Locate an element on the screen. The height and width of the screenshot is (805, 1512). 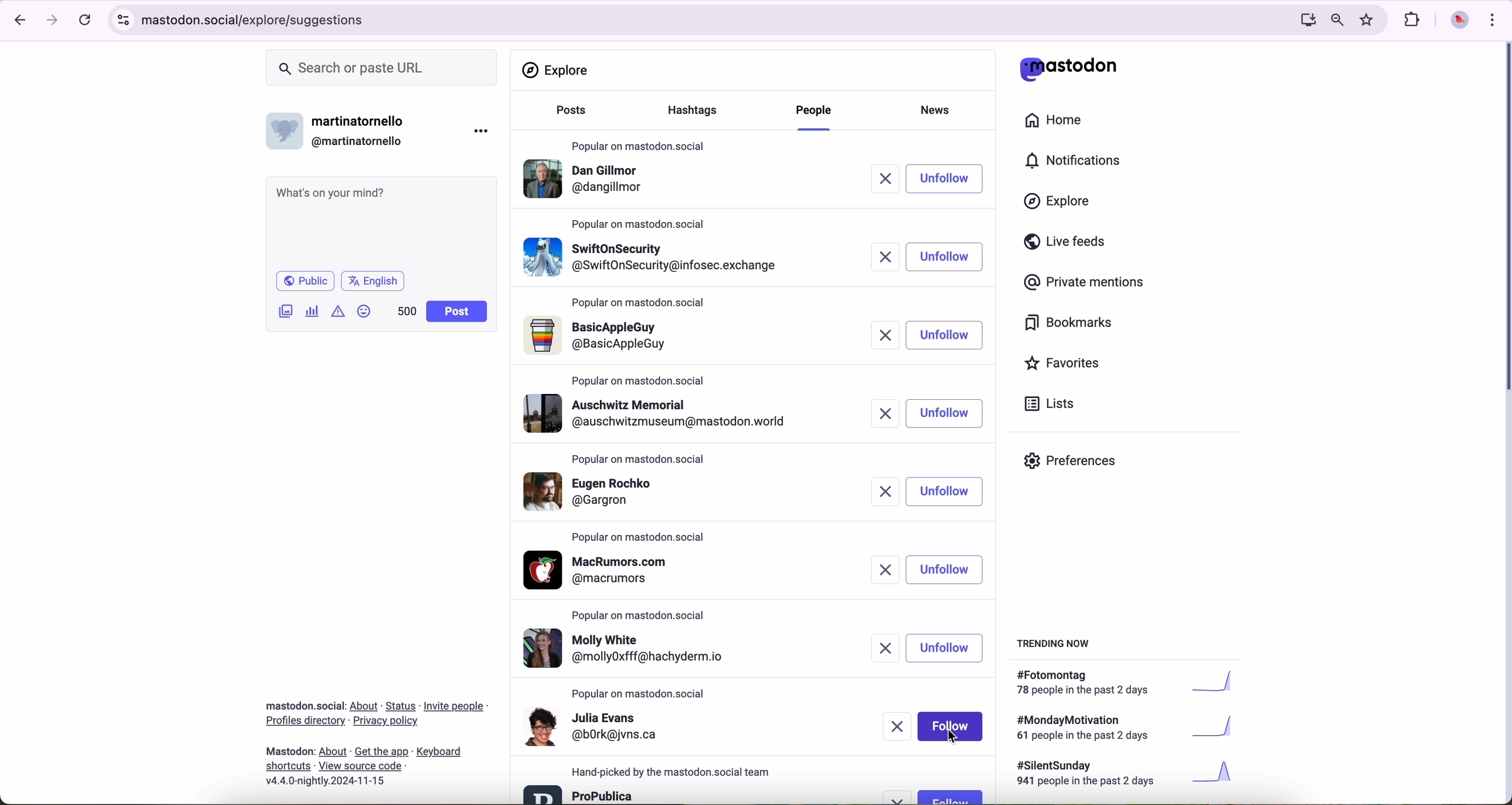
favorites is located at coordinates (1369, 20).